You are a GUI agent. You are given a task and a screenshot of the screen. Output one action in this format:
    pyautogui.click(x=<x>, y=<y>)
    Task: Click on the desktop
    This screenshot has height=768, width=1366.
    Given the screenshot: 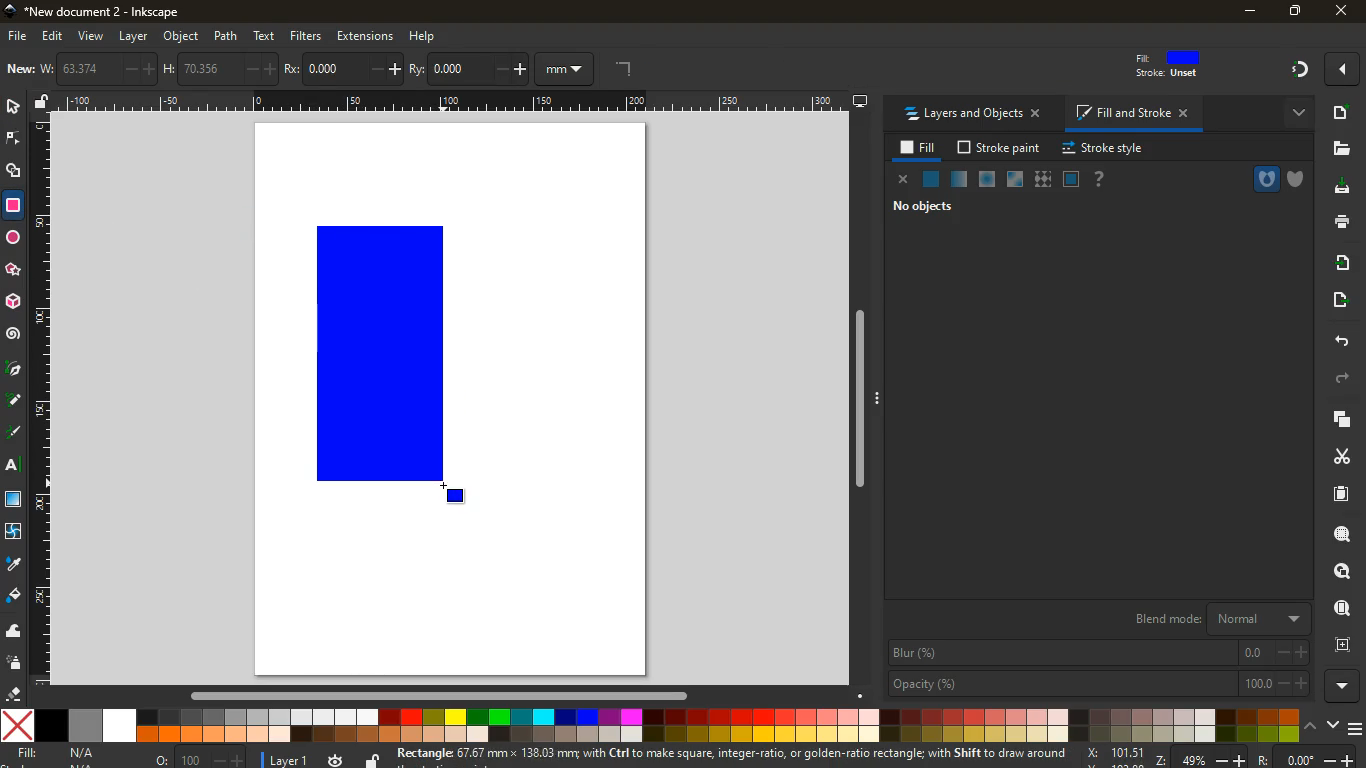 What is the action you would take?
    pyautogui.click(x=1335, y=189)
    